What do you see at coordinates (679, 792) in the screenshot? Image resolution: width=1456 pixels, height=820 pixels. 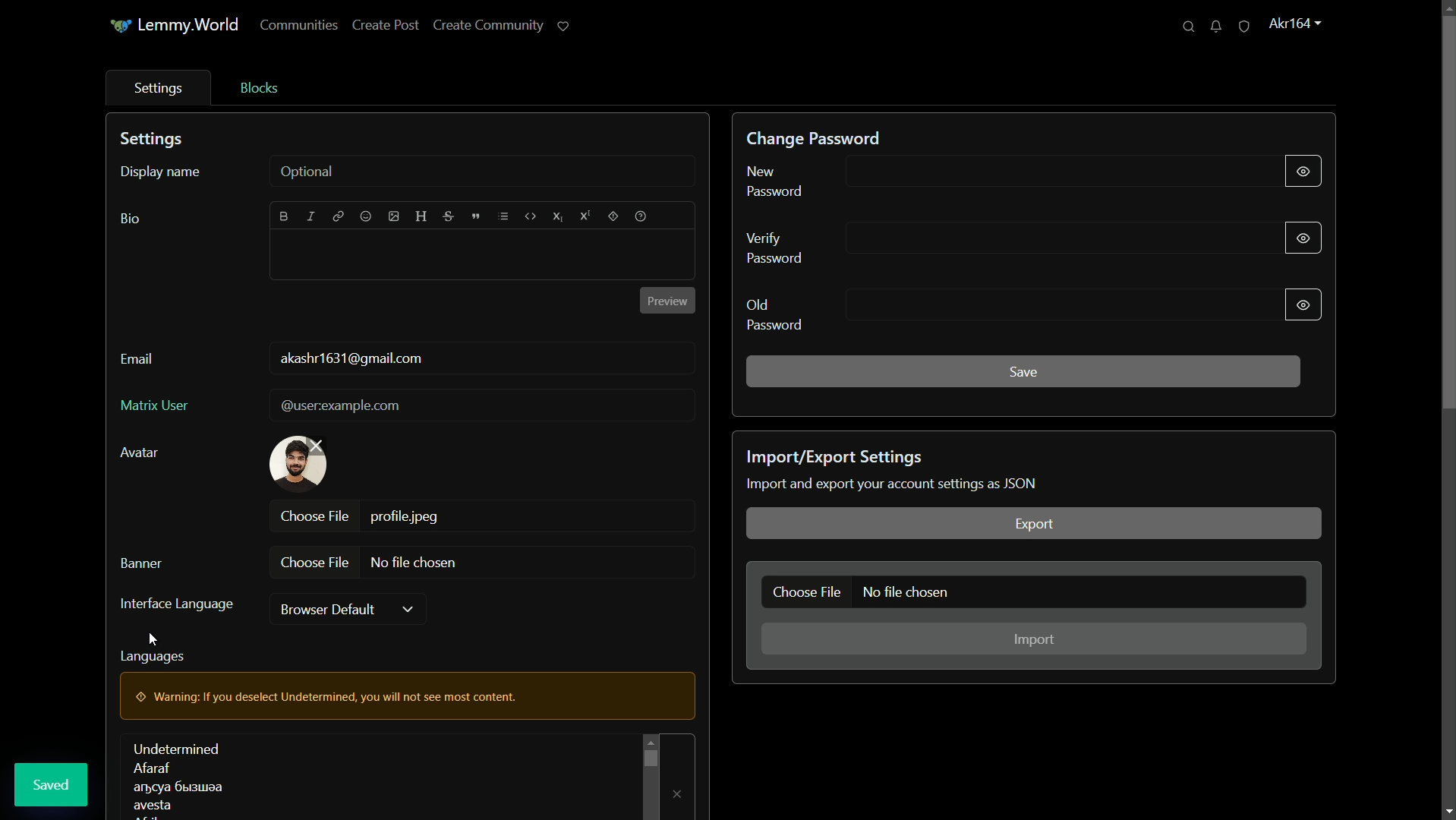 I see `remove` at bounding box center [679, 792].